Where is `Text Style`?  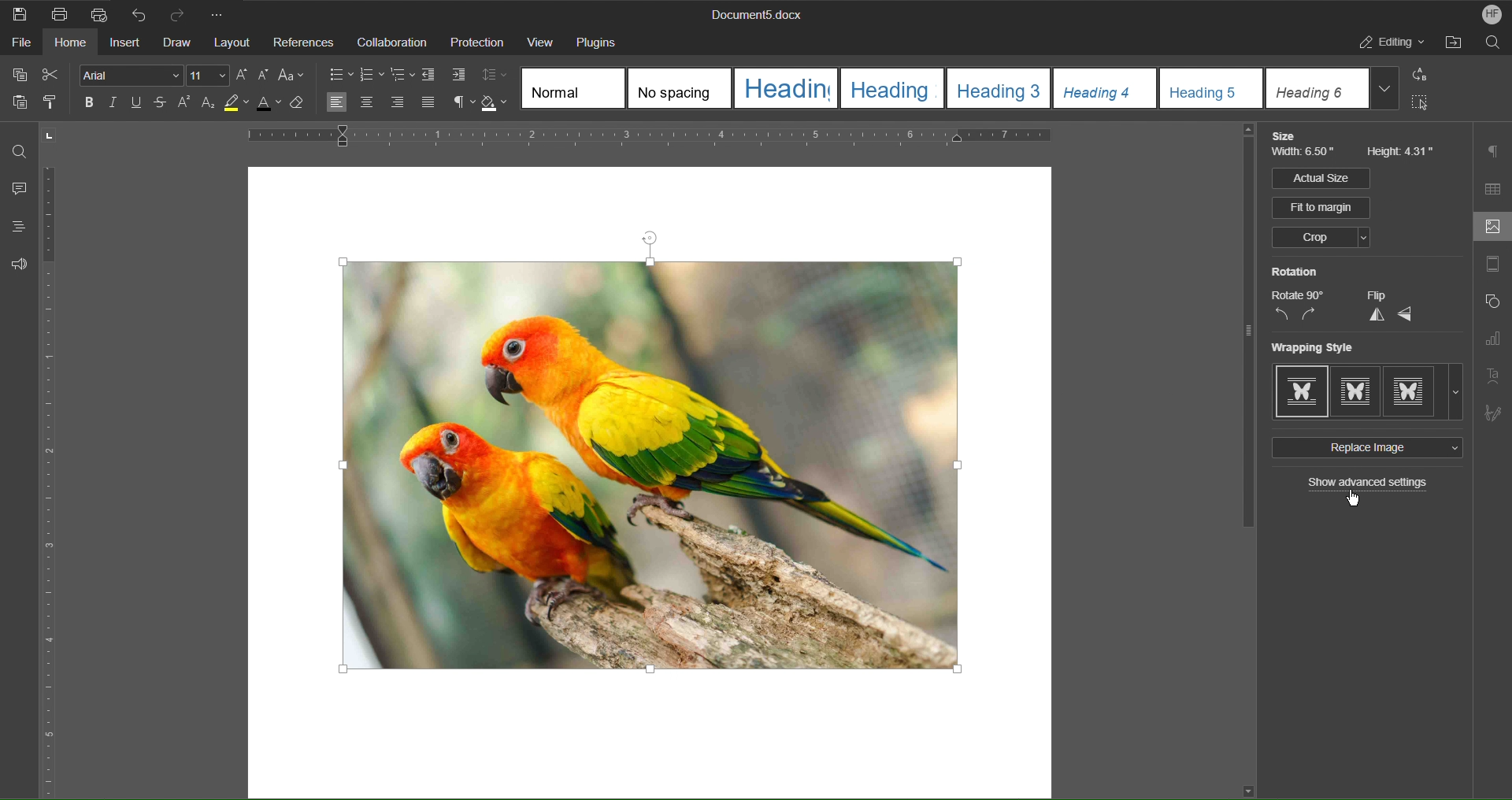 Text Style is located at coordinates (962, 88).